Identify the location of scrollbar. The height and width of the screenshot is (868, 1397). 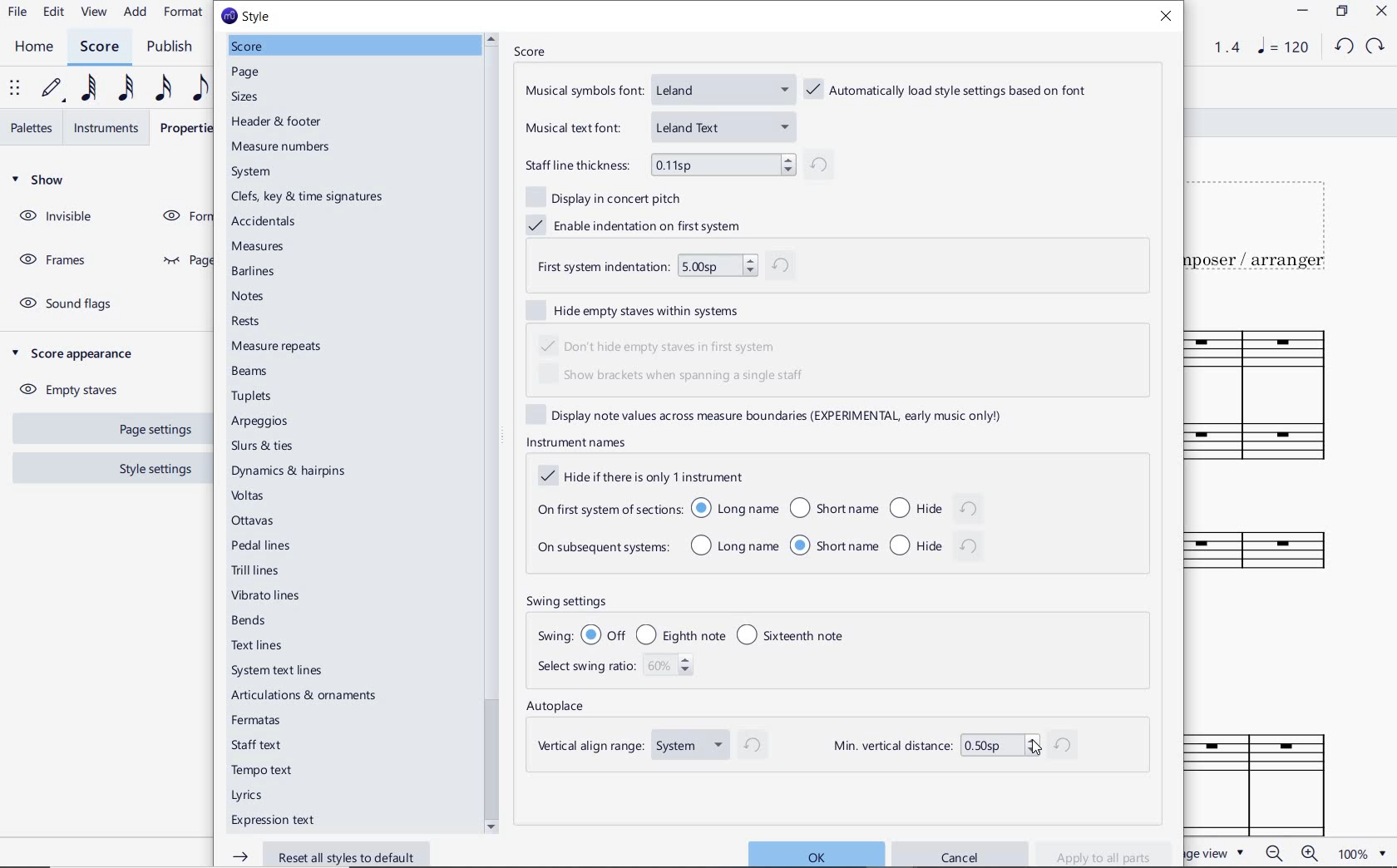
(491, 432).